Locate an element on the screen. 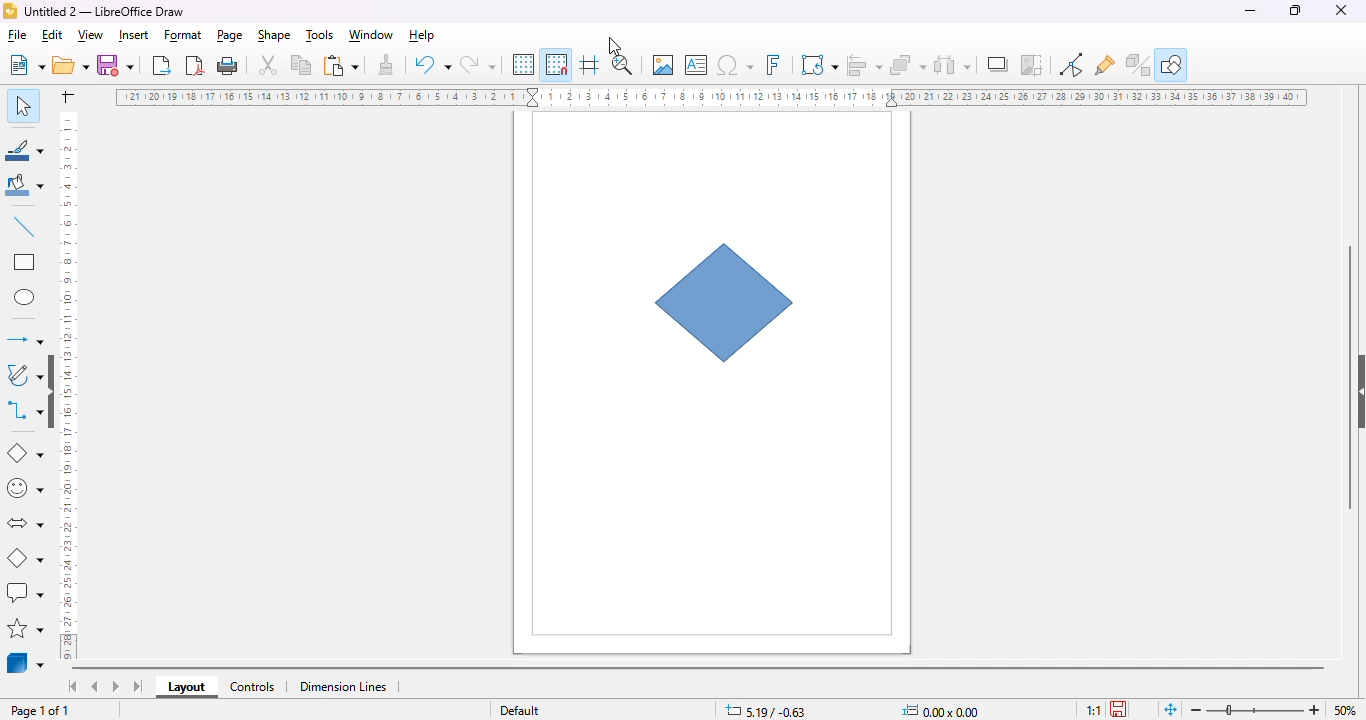 The height and width of the screenshot is (720, 1366). zoom factor is located at coordinates (1346, 709).